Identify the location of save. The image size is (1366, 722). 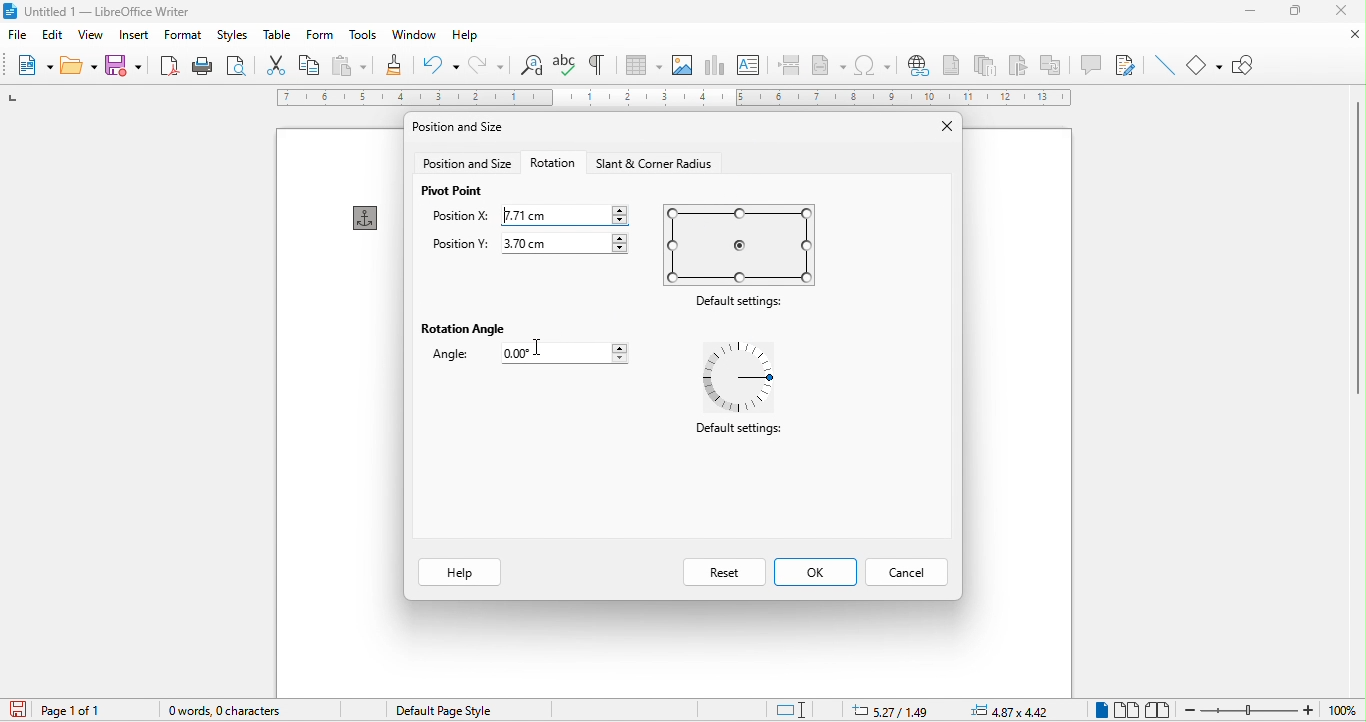
(126, 63).